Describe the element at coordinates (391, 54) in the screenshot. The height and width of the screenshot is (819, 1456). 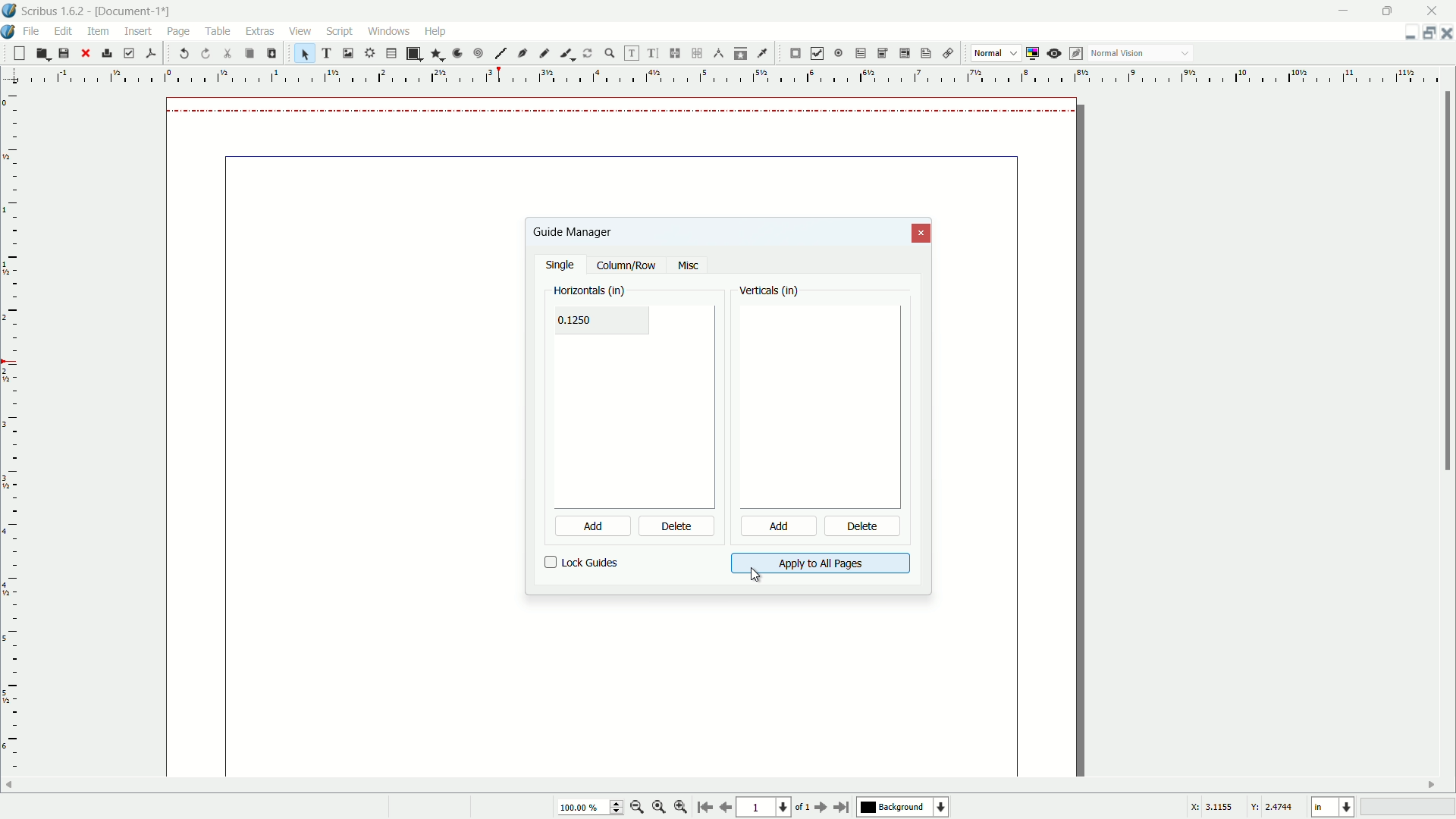
I see `table` at that location.